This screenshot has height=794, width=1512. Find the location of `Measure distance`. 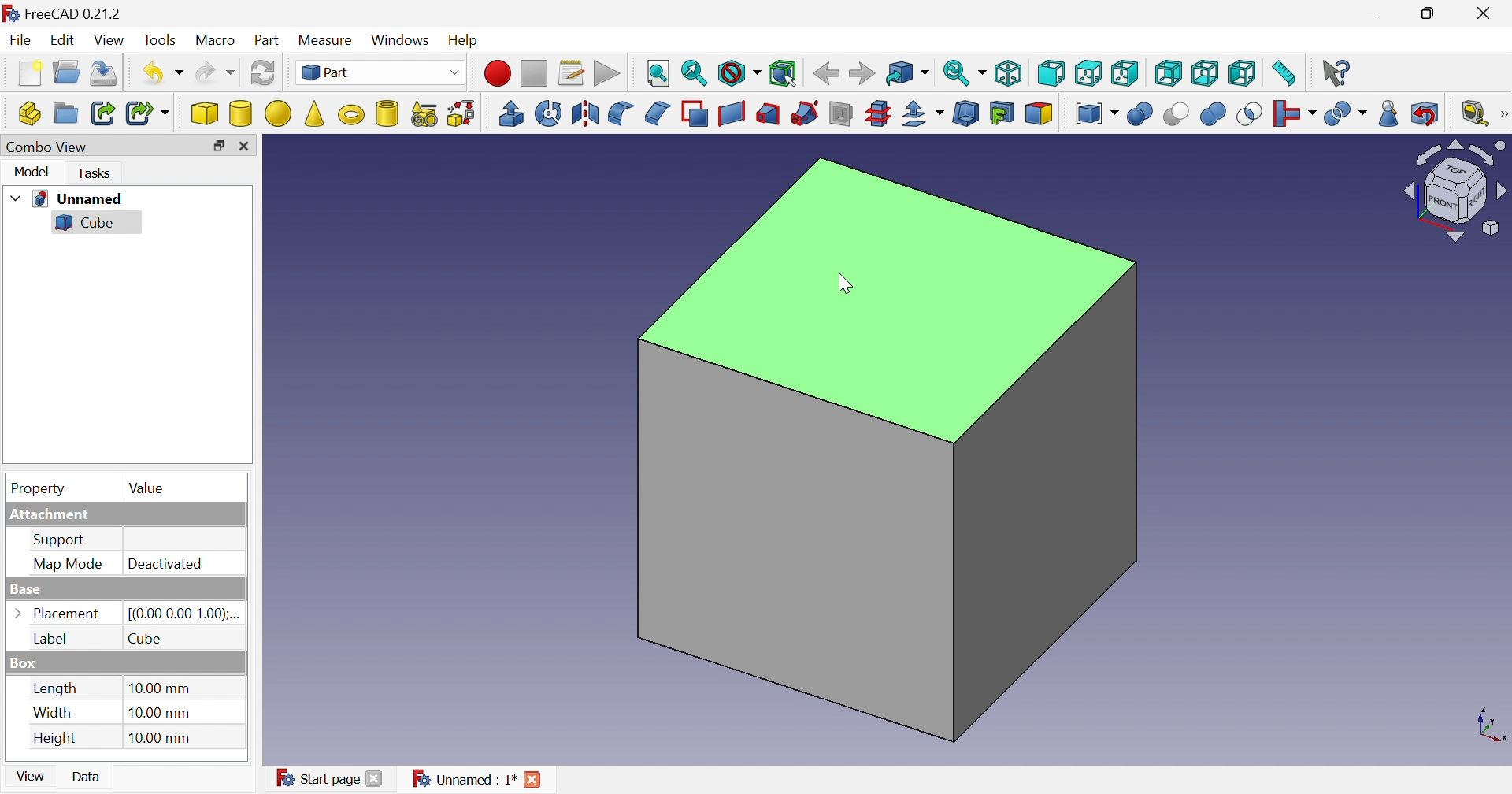

Measure distance is located at coordinates (1284, 76).